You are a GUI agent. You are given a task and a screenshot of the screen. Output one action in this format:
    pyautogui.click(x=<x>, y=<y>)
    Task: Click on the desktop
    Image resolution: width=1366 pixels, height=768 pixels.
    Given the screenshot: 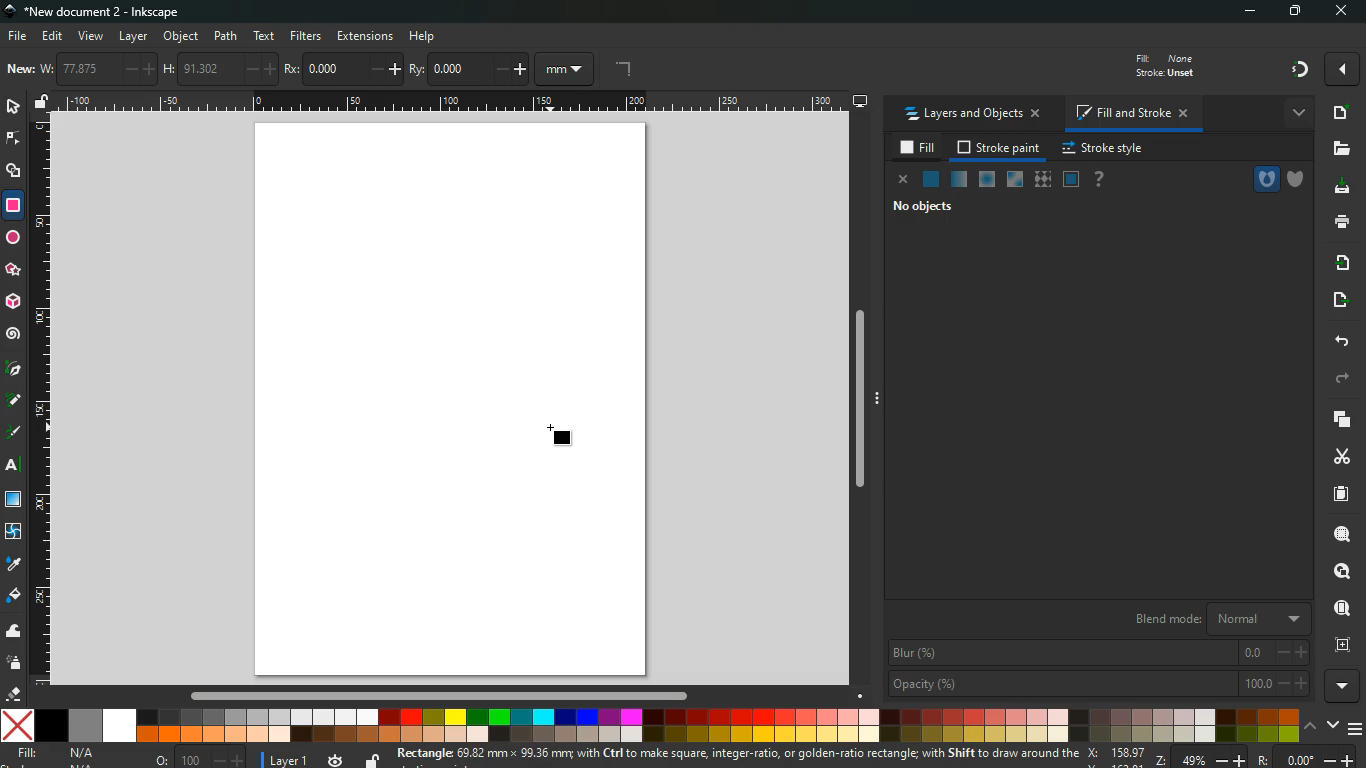 What is the action you would take?
    pyautogui.click(x=853, y=102)
    